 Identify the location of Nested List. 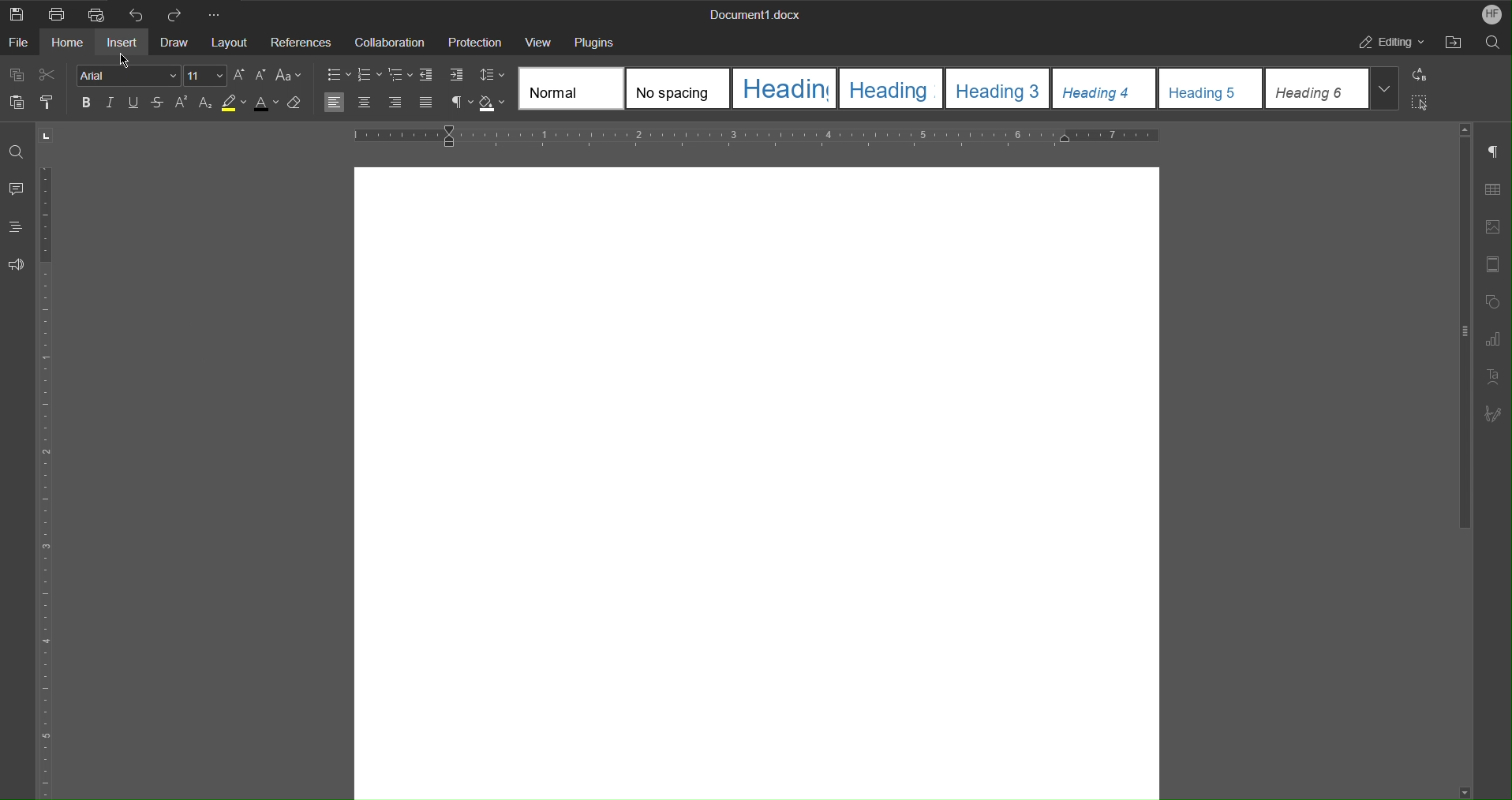
(399, 75).